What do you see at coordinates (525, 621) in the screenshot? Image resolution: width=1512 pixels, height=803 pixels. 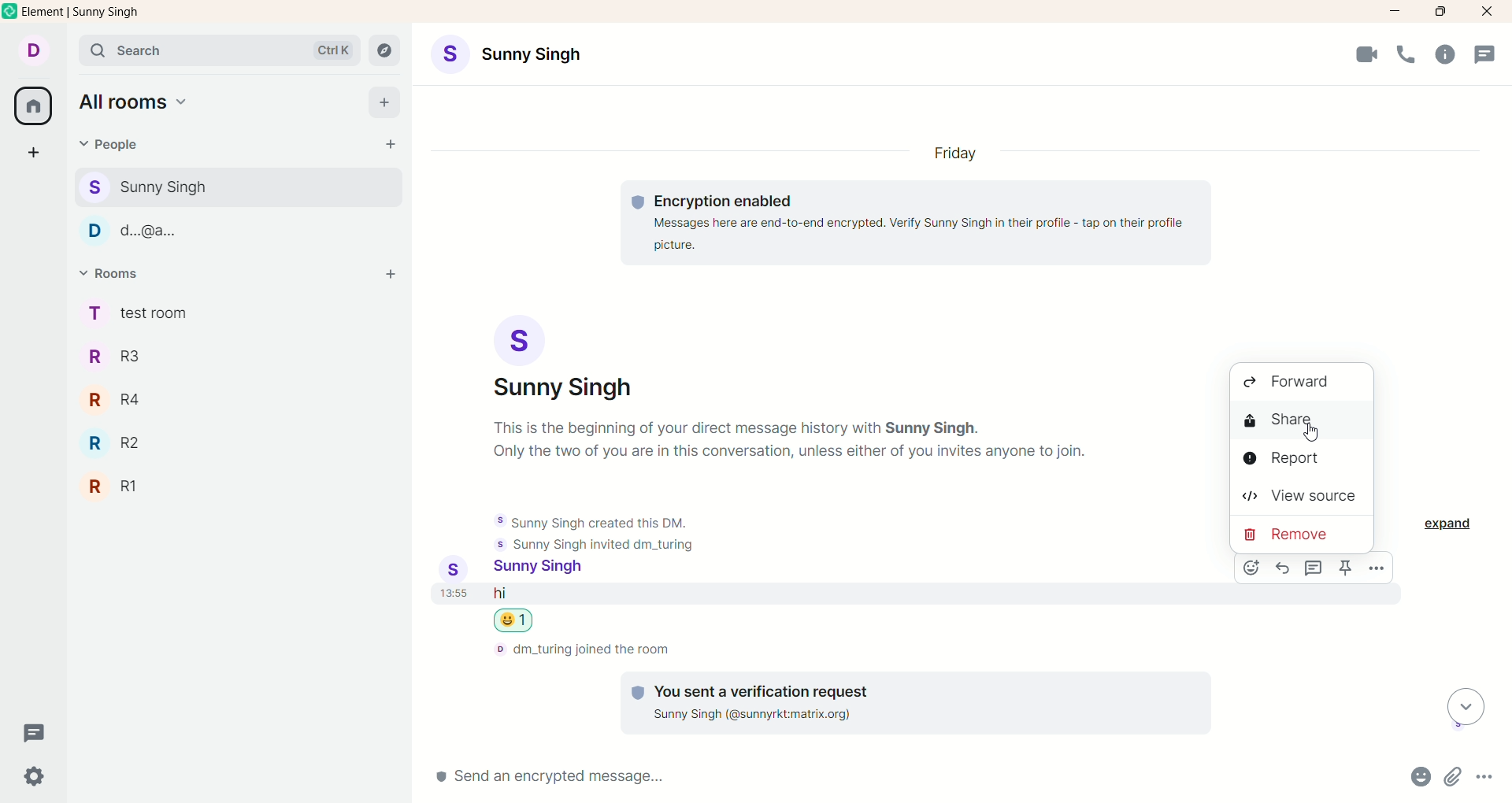 I see `emoji` at bounding box center [525, 621].